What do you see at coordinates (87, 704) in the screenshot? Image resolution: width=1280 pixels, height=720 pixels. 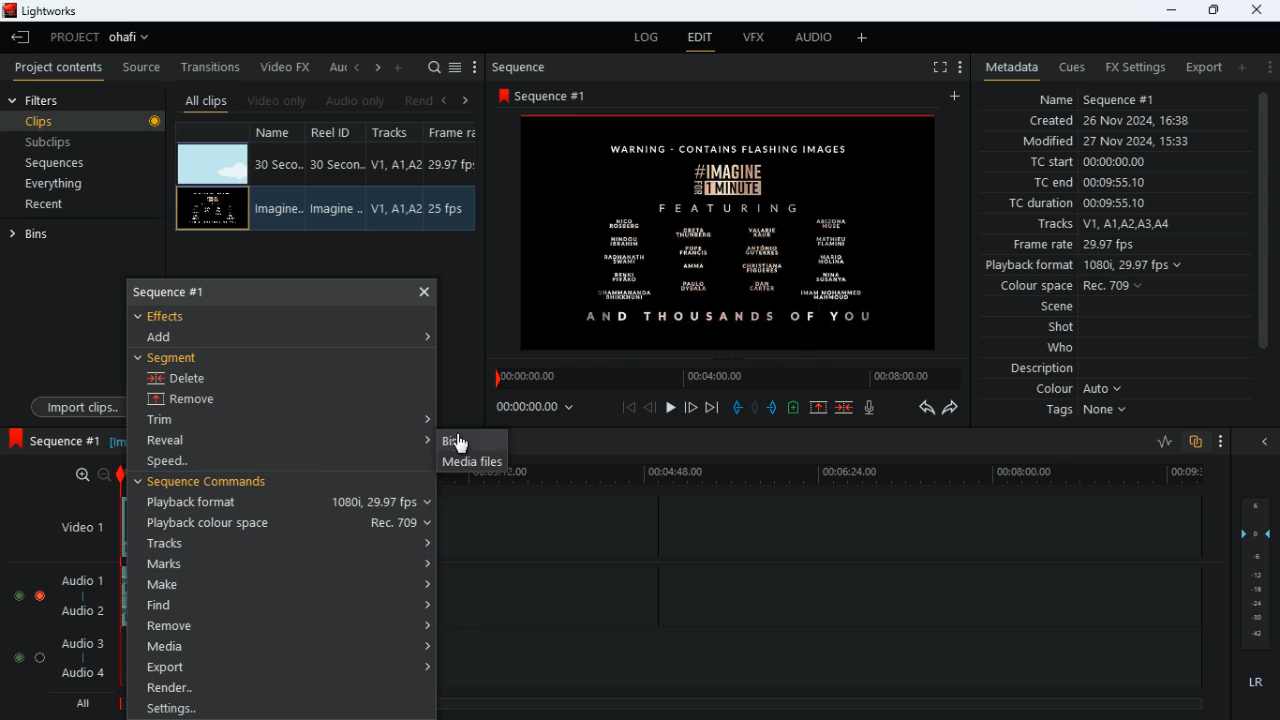 I see `all` at bounding box center [87, 704].